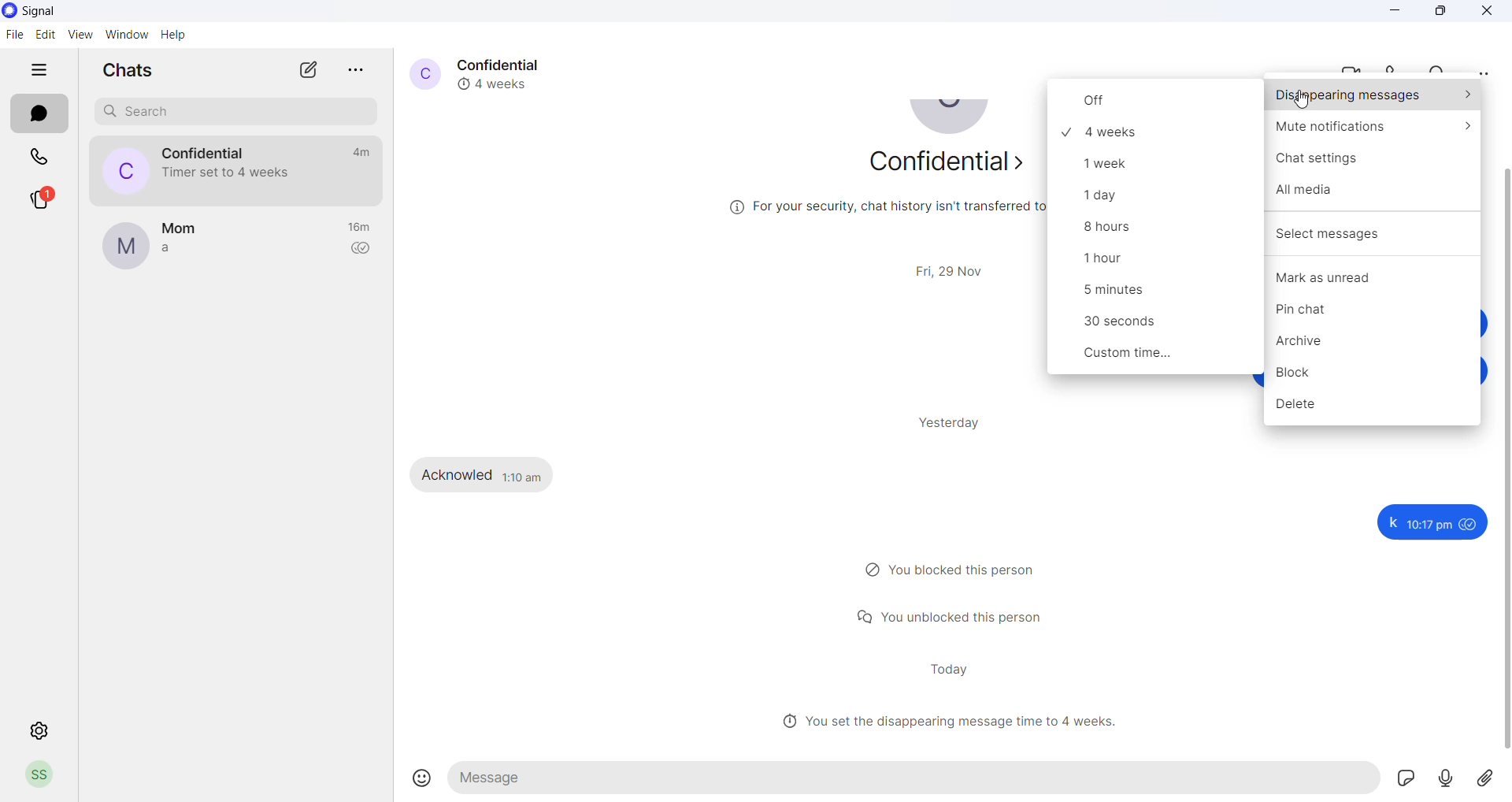 This screenshot has height=802, width=1512. I want to click on last message timeframe, so click(358, 152).